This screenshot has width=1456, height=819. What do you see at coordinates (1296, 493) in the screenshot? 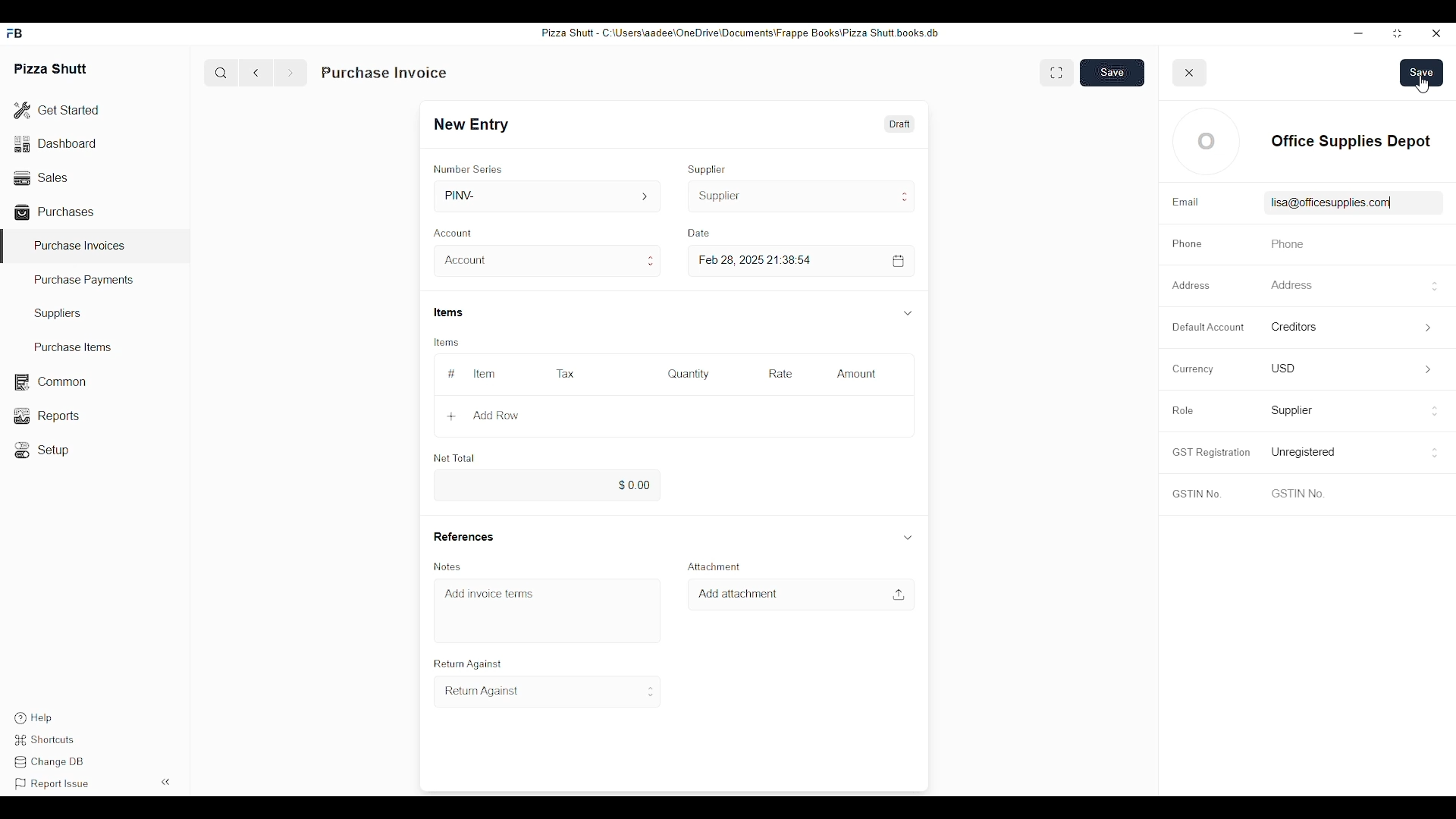
I see `GSTIN No` at bounding box center [1296, 493].